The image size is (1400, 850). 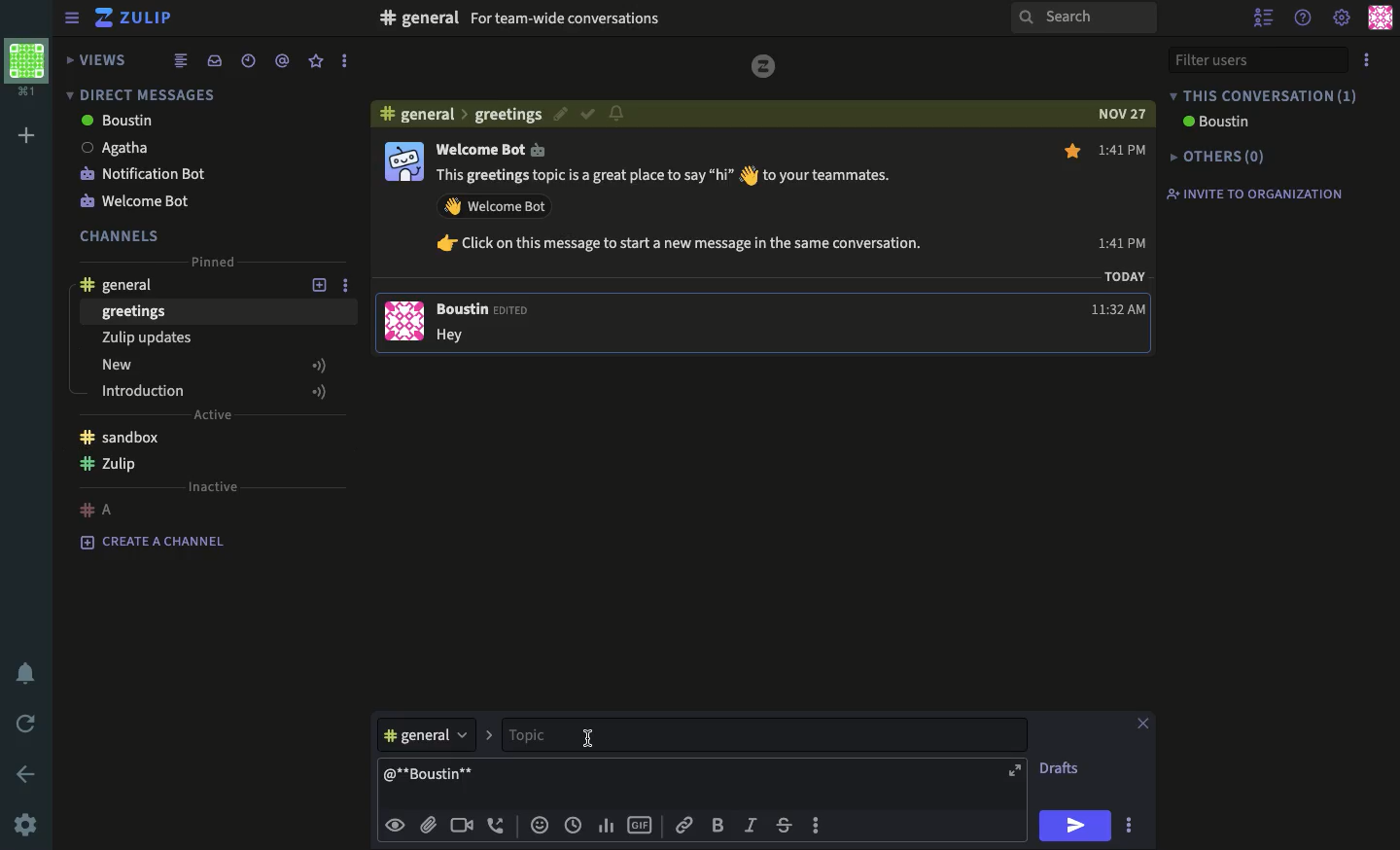 What do you see at coordinates (144, 175) in the screenshot?
I see `notification bot` at bounding box center [144, 175].